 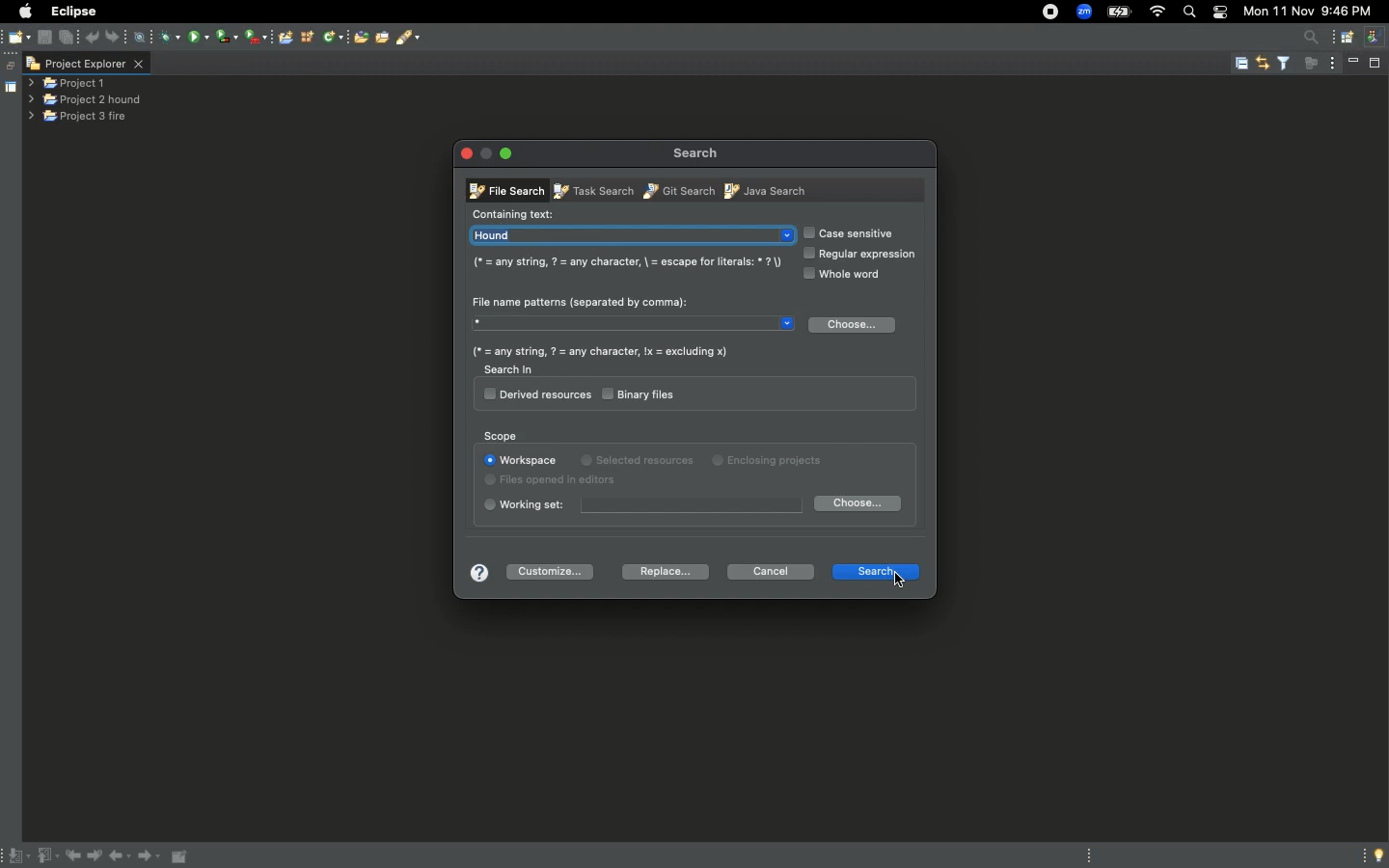 What do you see at coordinates (1042, 11) in the screenshot?
I see `recorder` at bounding box center [1042, 11].